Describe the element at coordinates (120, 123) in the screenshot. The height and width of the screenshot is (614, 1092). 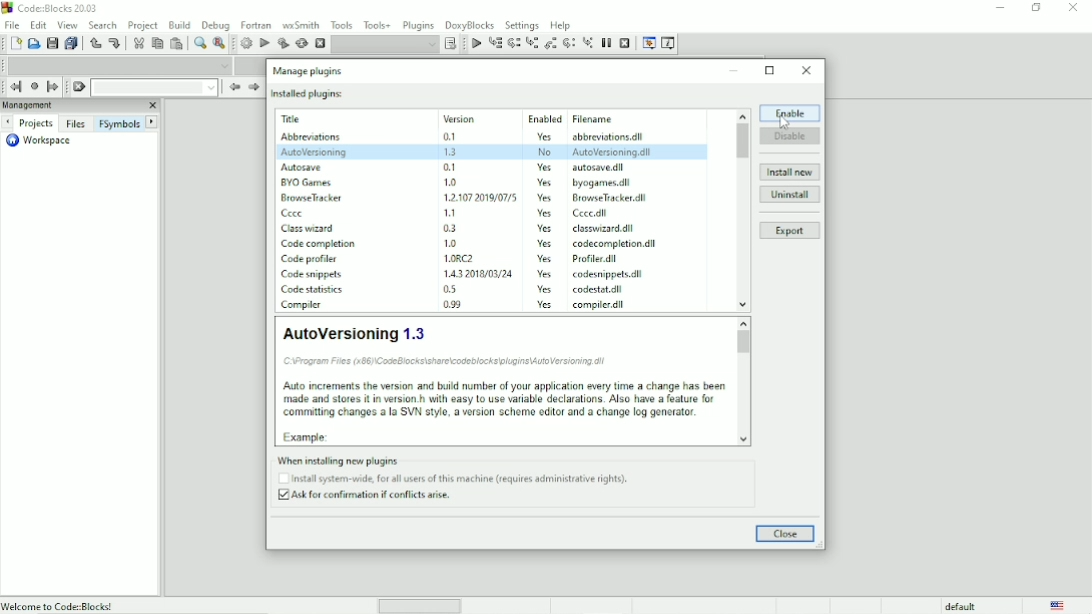
I see `FSymbols` at that location.